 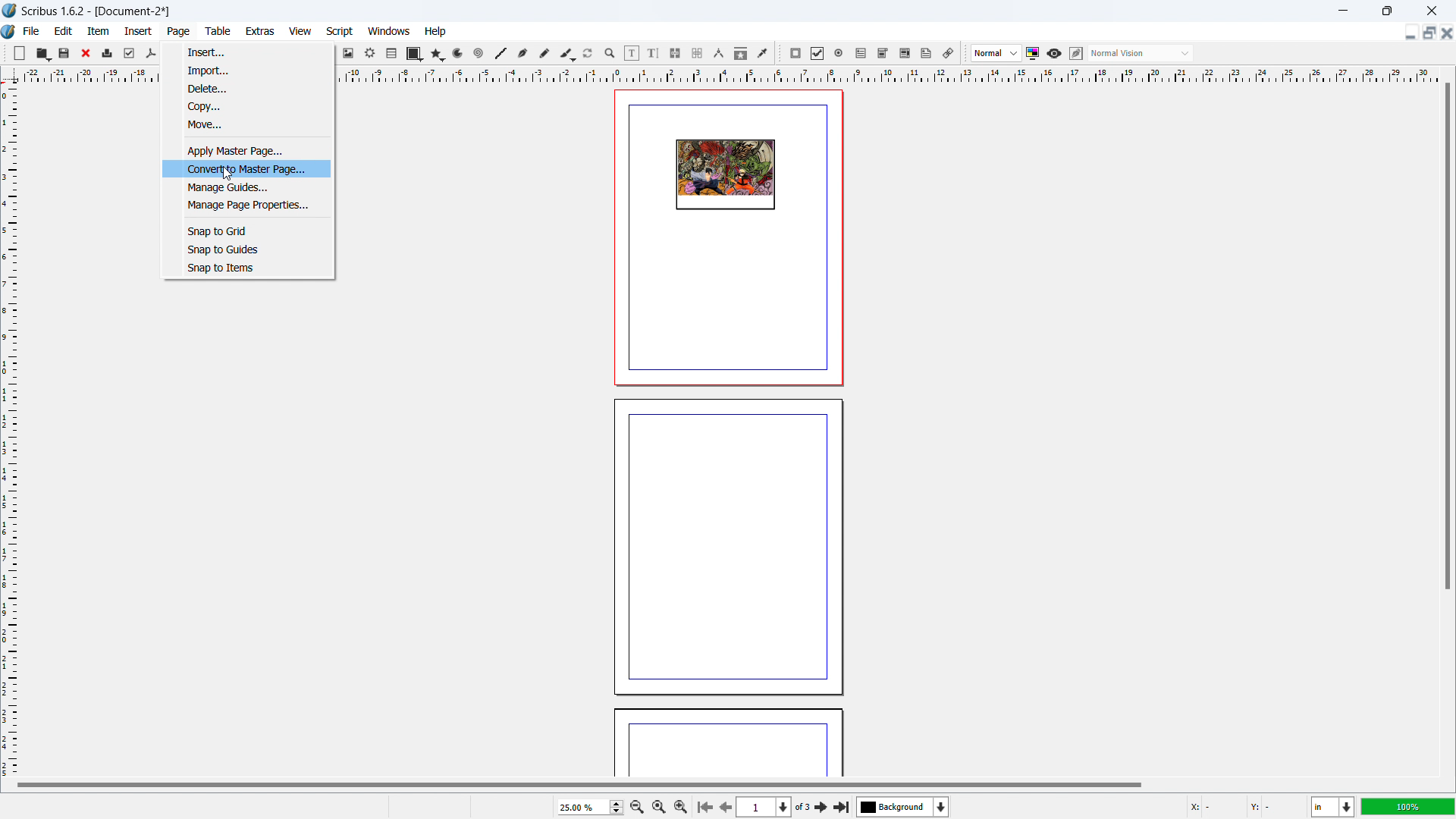 I want to click on next page, so click(x=822, y=806).